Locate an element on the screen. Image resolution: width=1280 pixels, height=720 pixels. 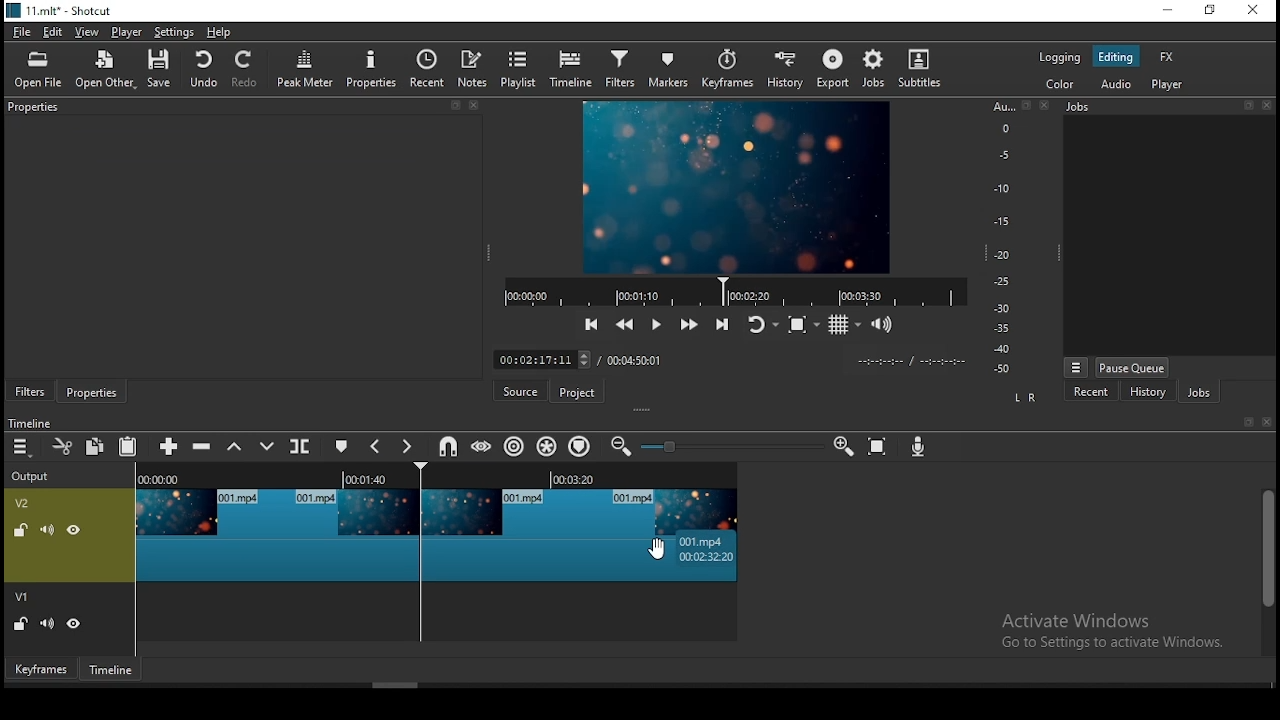
keyframes is located at coordinates (39, 668).